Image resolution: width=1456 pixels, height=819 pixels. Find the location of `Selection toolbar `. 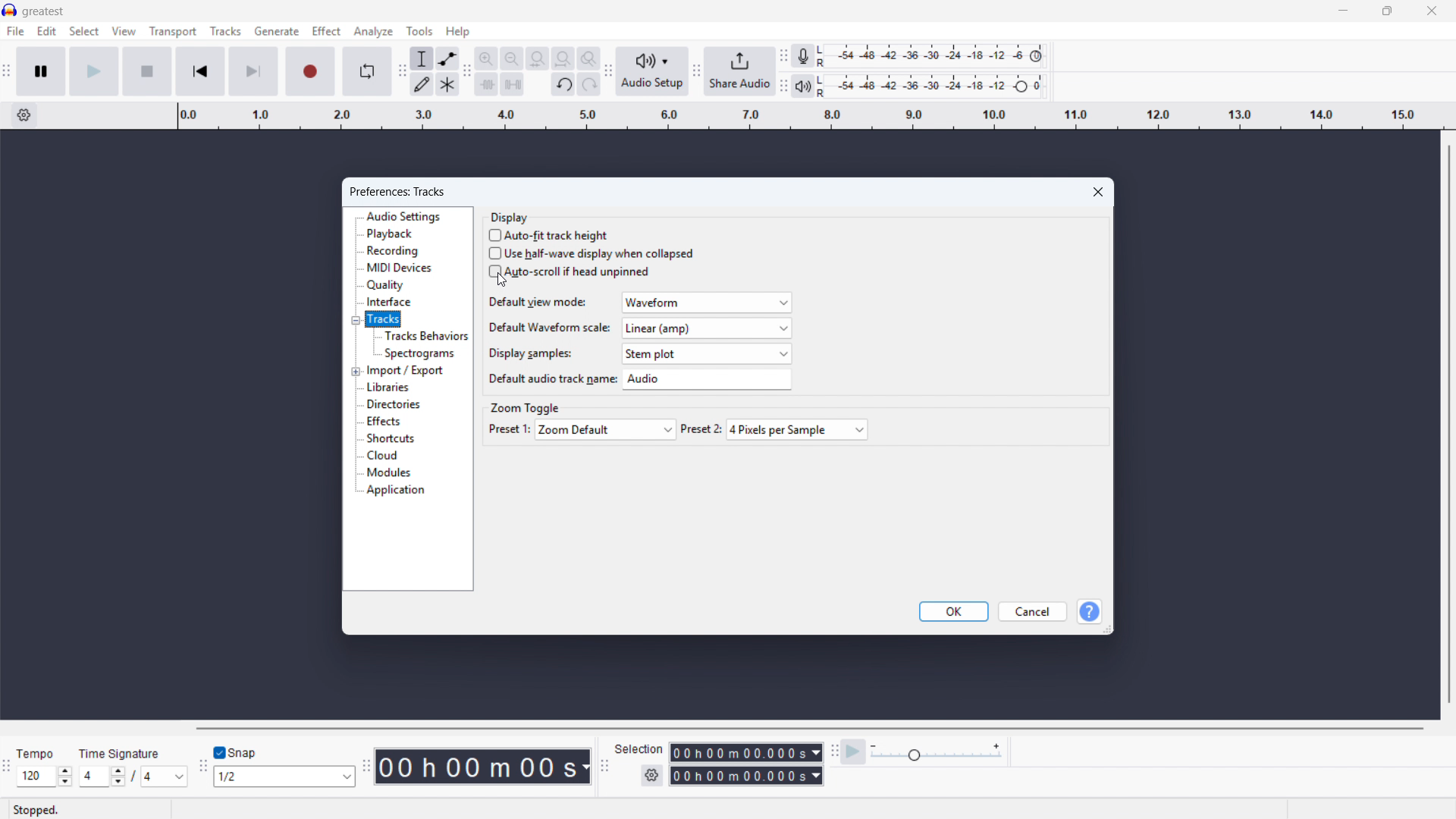

Selection toolbar  is located at coordinates (606, 768).